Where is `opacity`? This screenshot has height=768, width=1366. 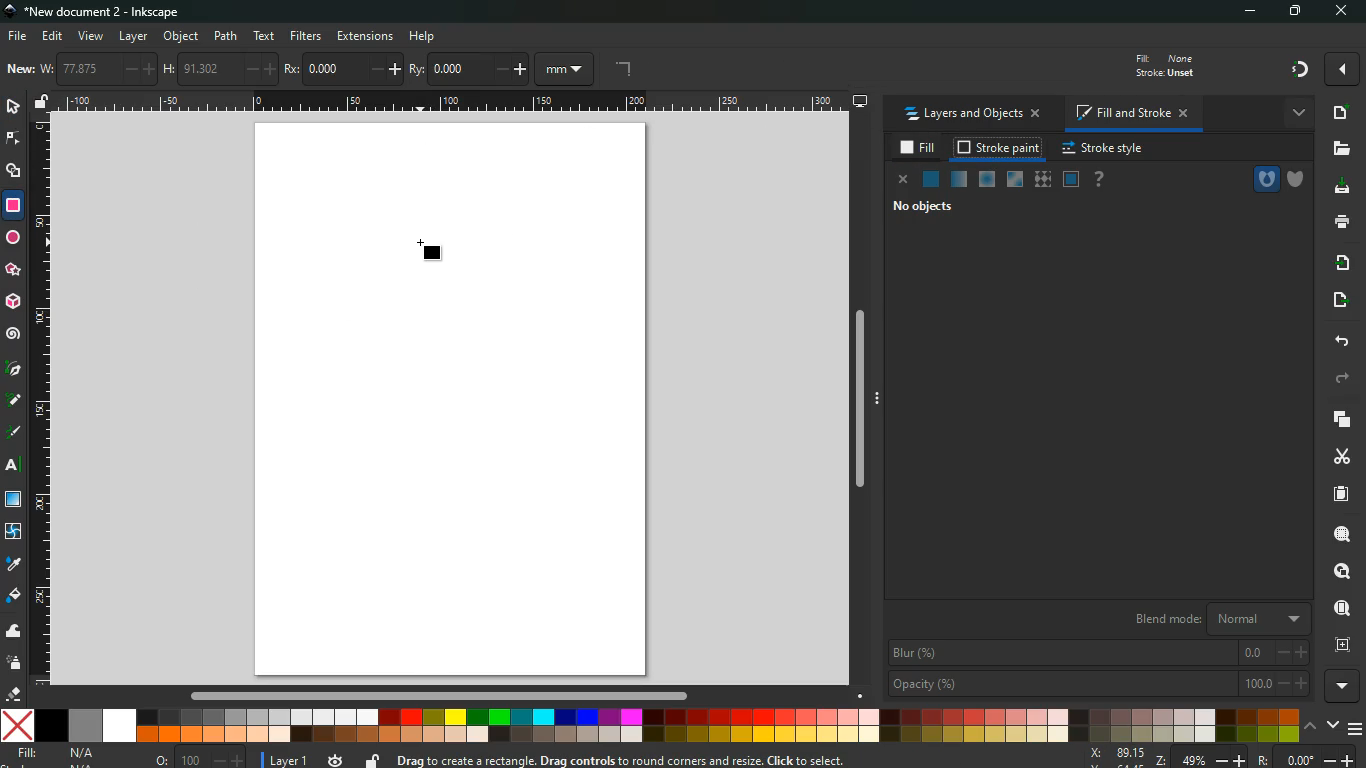
opacity is located at coordinates (1098, 685).